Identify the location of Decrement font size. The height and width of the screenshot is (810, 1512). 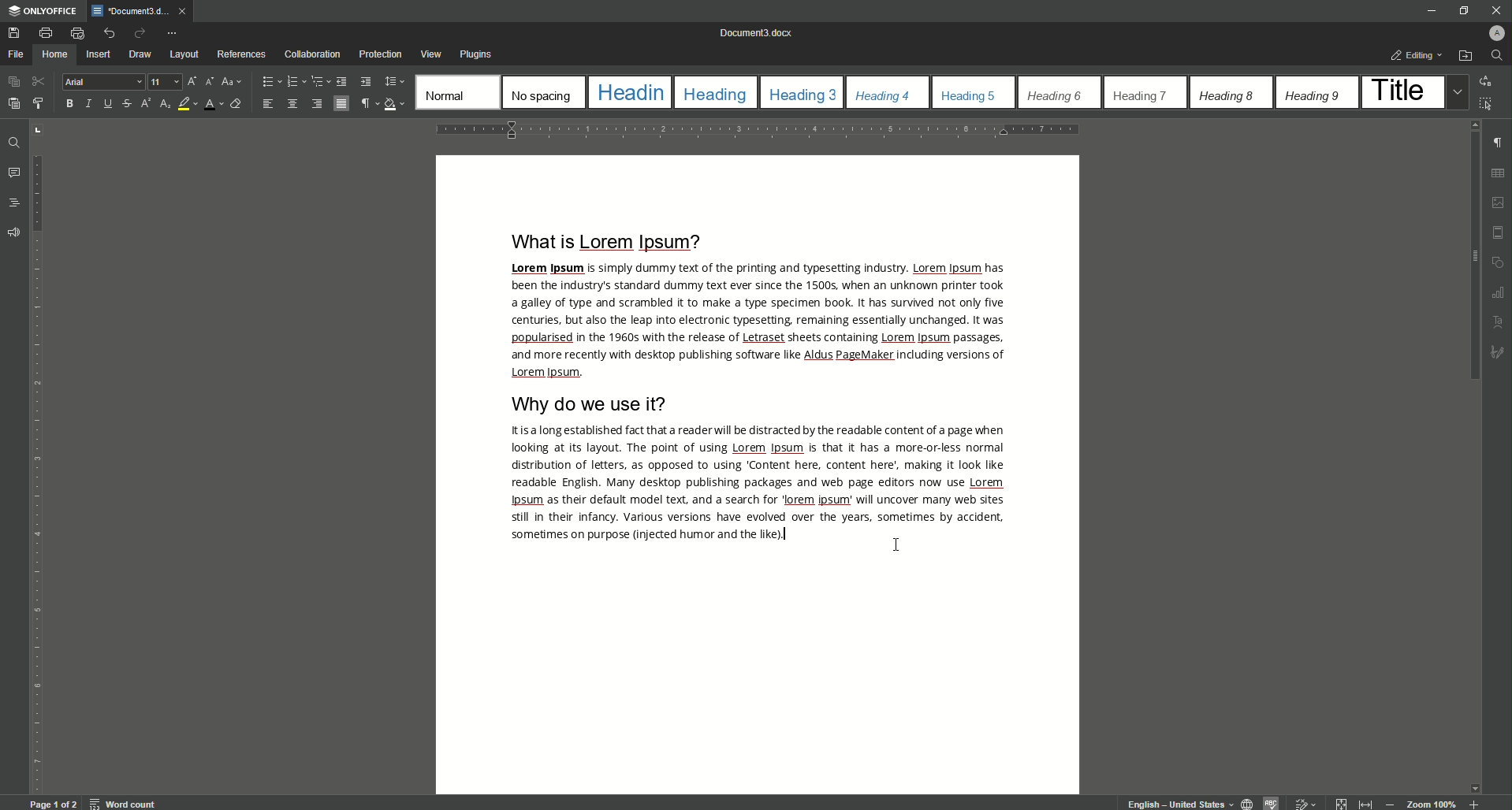
(209, 82).